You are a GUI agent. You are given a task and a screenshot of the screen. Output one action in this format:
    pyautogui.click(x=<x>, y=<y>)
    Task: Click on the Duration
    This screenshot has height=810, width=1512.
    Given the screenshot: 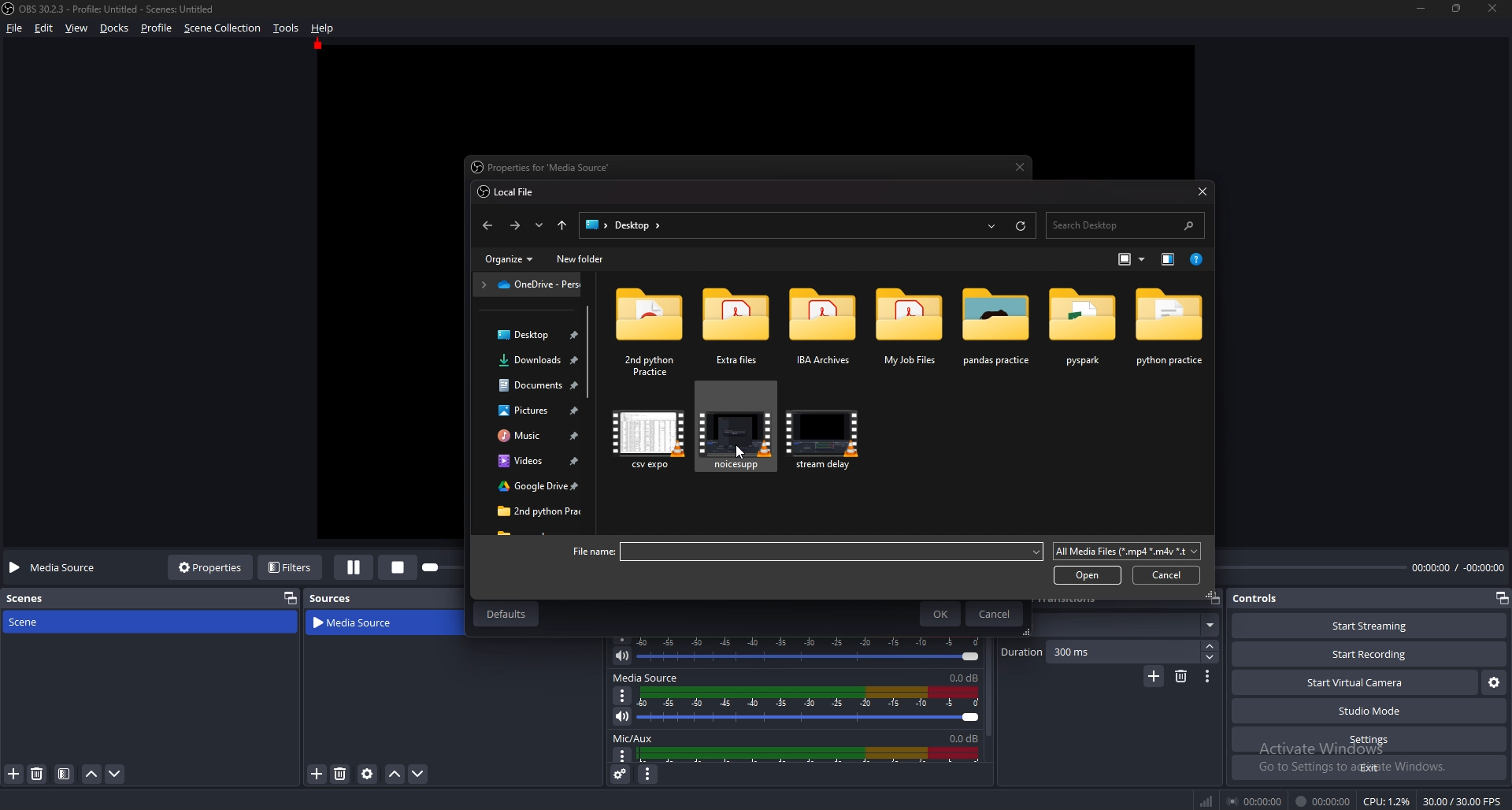 What is the action you would take?
    pyautogui.click(x=1101, y=652)
    